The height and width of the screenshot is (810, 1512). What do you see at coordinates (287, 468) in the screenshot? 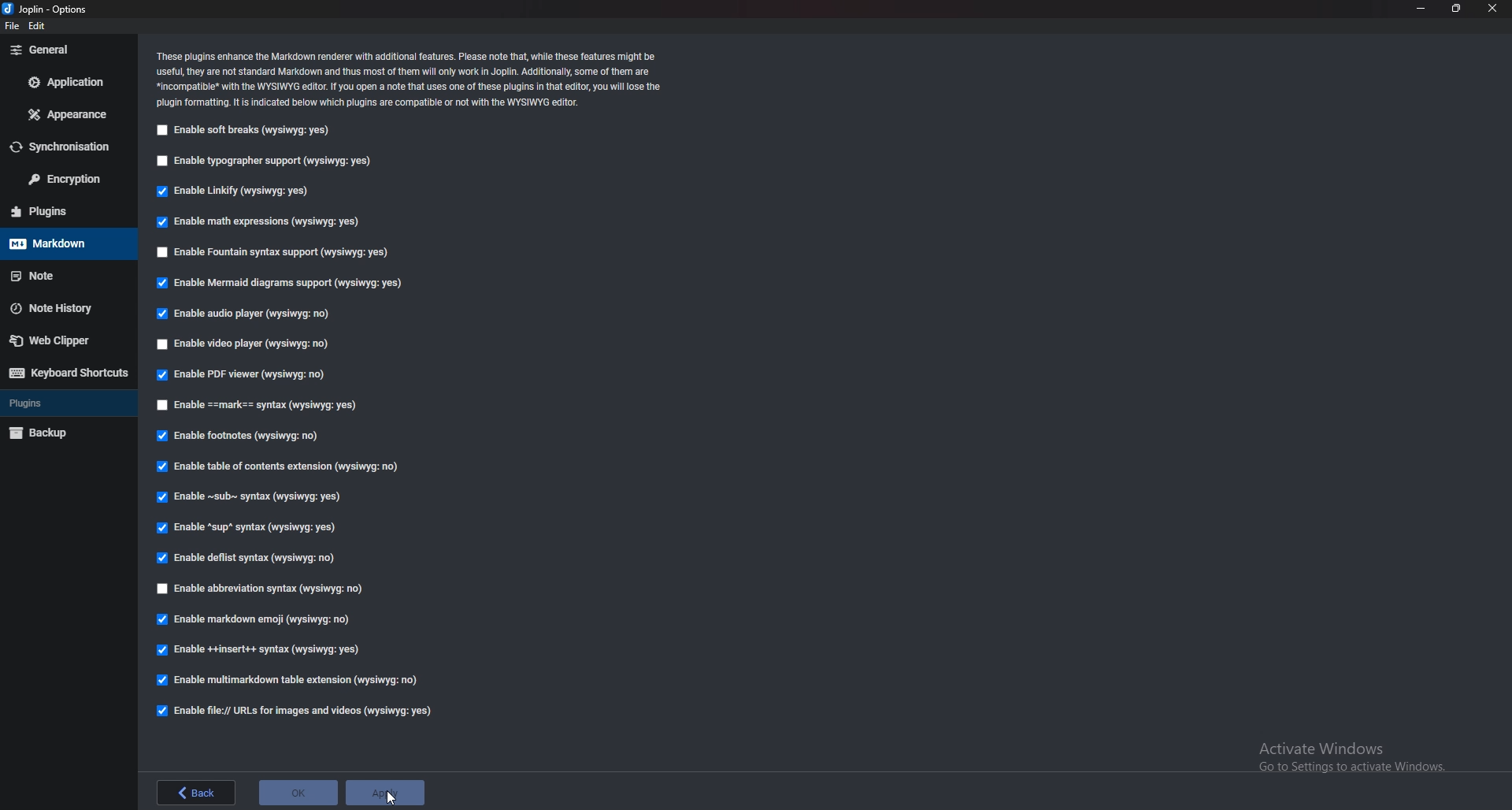
I see `enable table of contents extension` at bounding box center [287, 468].